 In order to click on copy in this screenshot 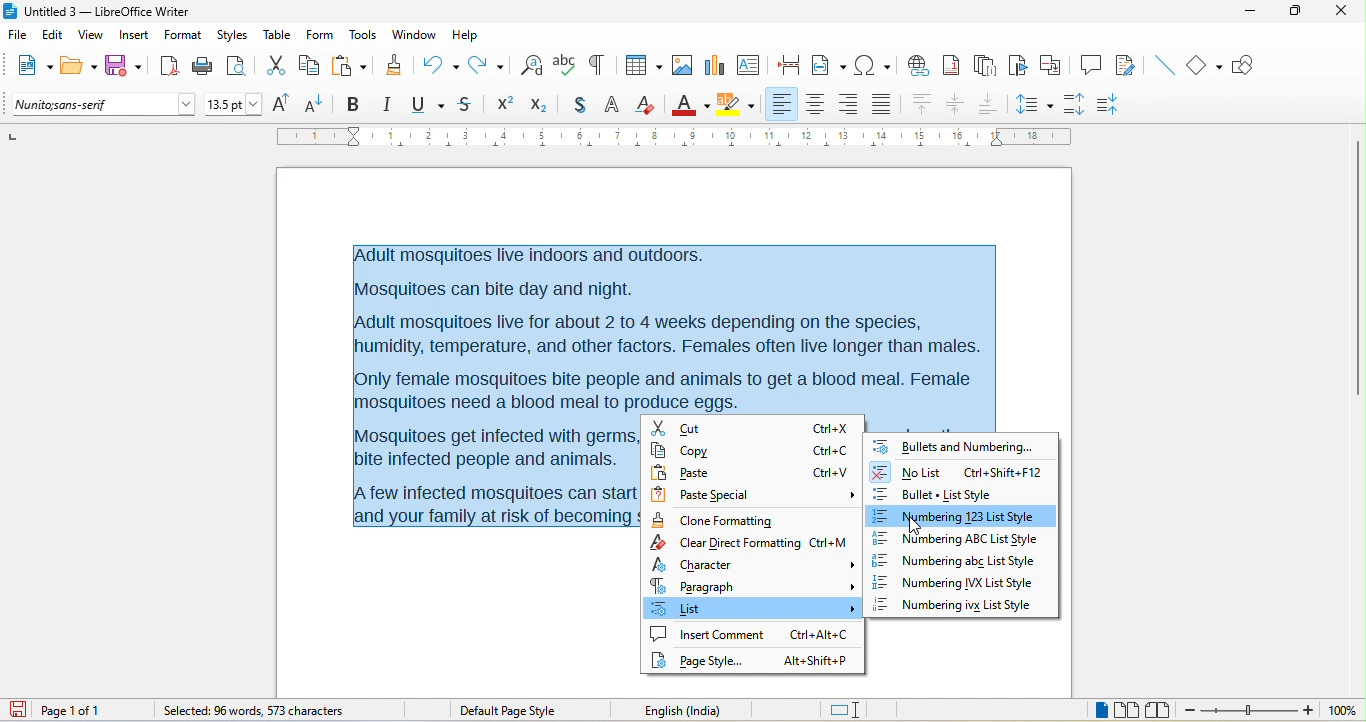, I will do `click(748, 449)`.